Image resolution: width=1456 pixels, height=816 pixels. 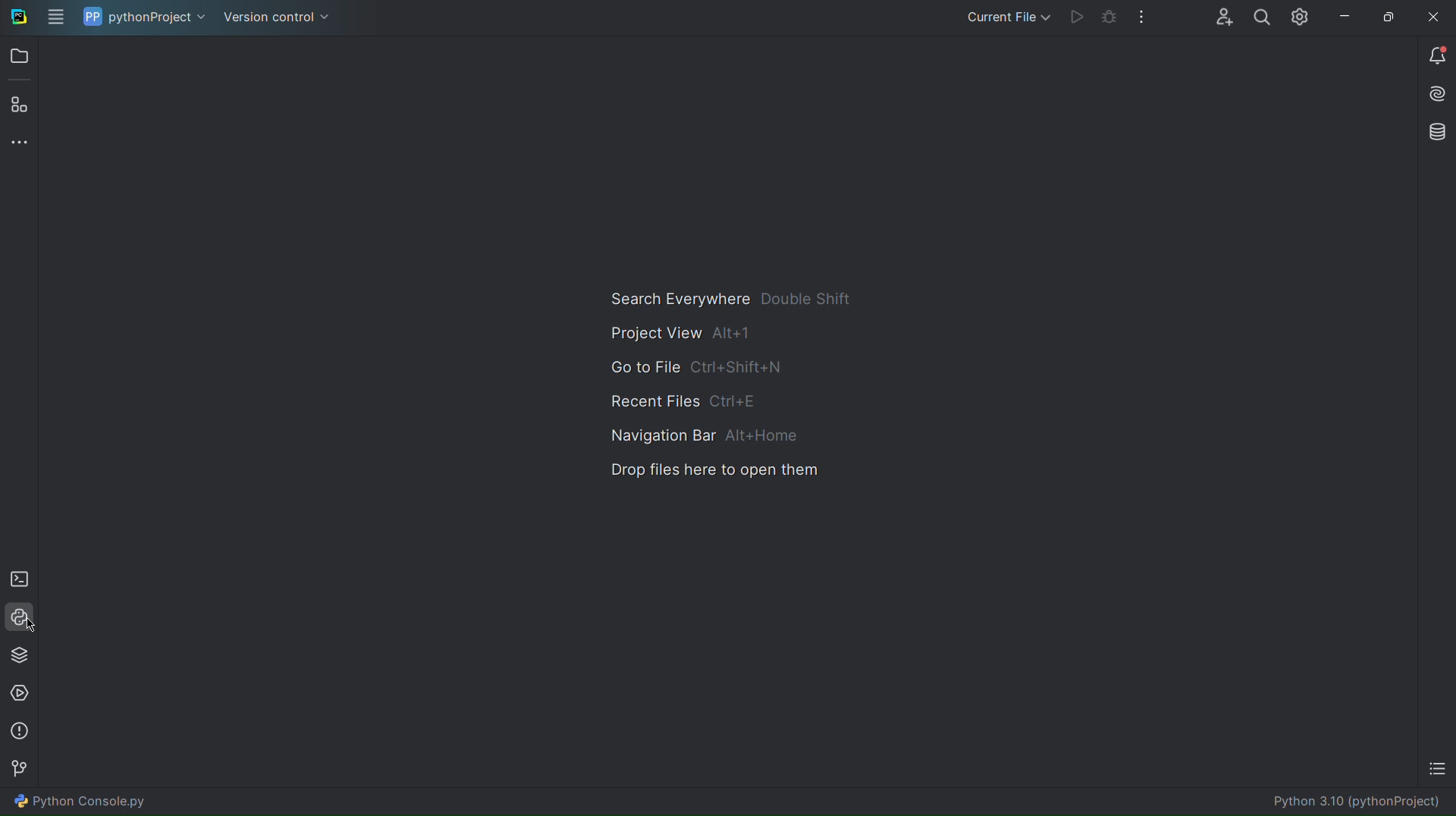 I want to click on Settings, so click(x=1300, y=17).